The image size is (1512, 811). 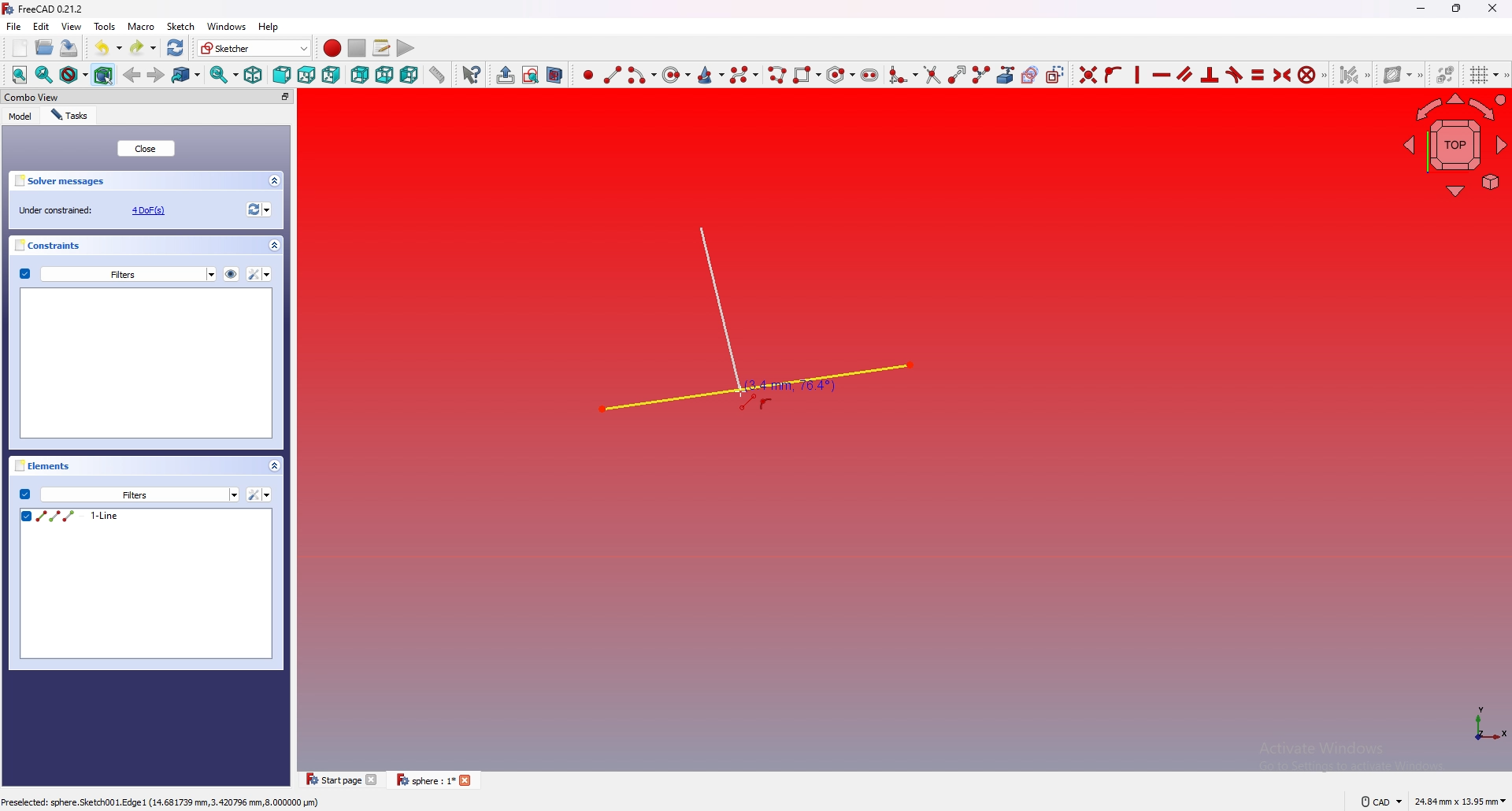 I want to click on View sketch, so click(x=530, y=75).